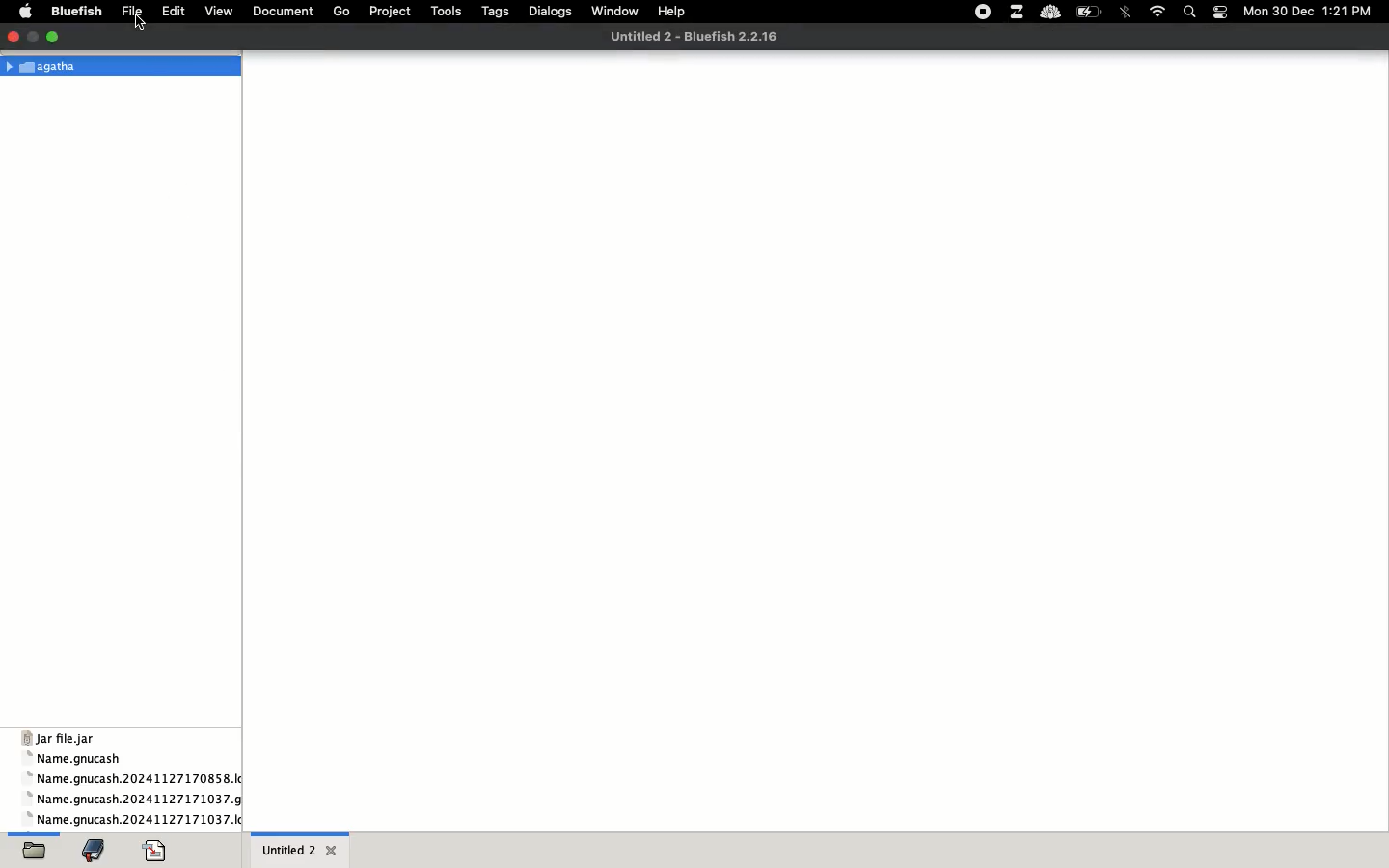 This screenshot has height=868, width=1389. I want to click on document , so click(288, 12).